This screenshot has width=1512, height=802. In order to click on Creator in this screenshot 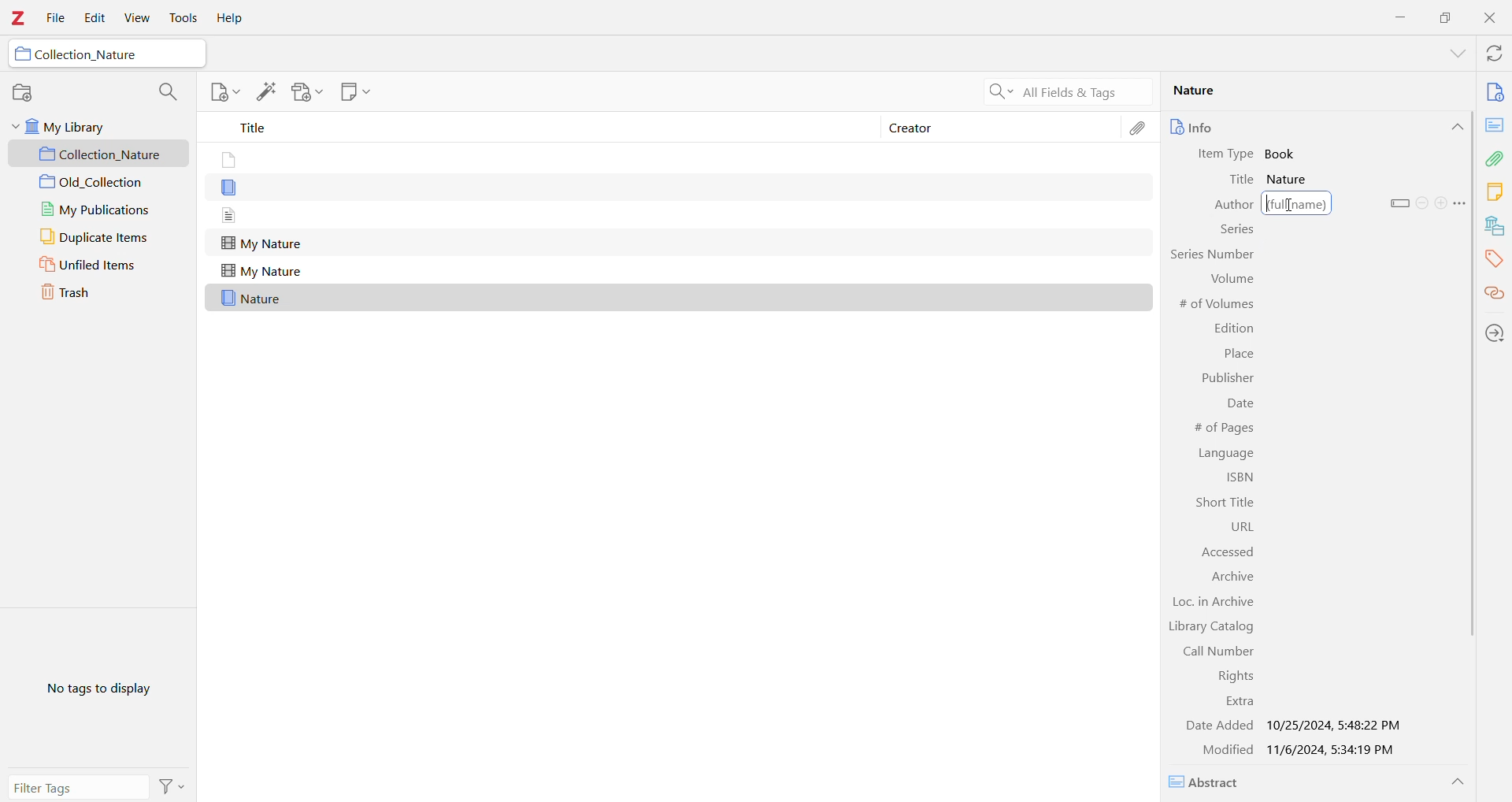, I will do `click(1002, 126)`.